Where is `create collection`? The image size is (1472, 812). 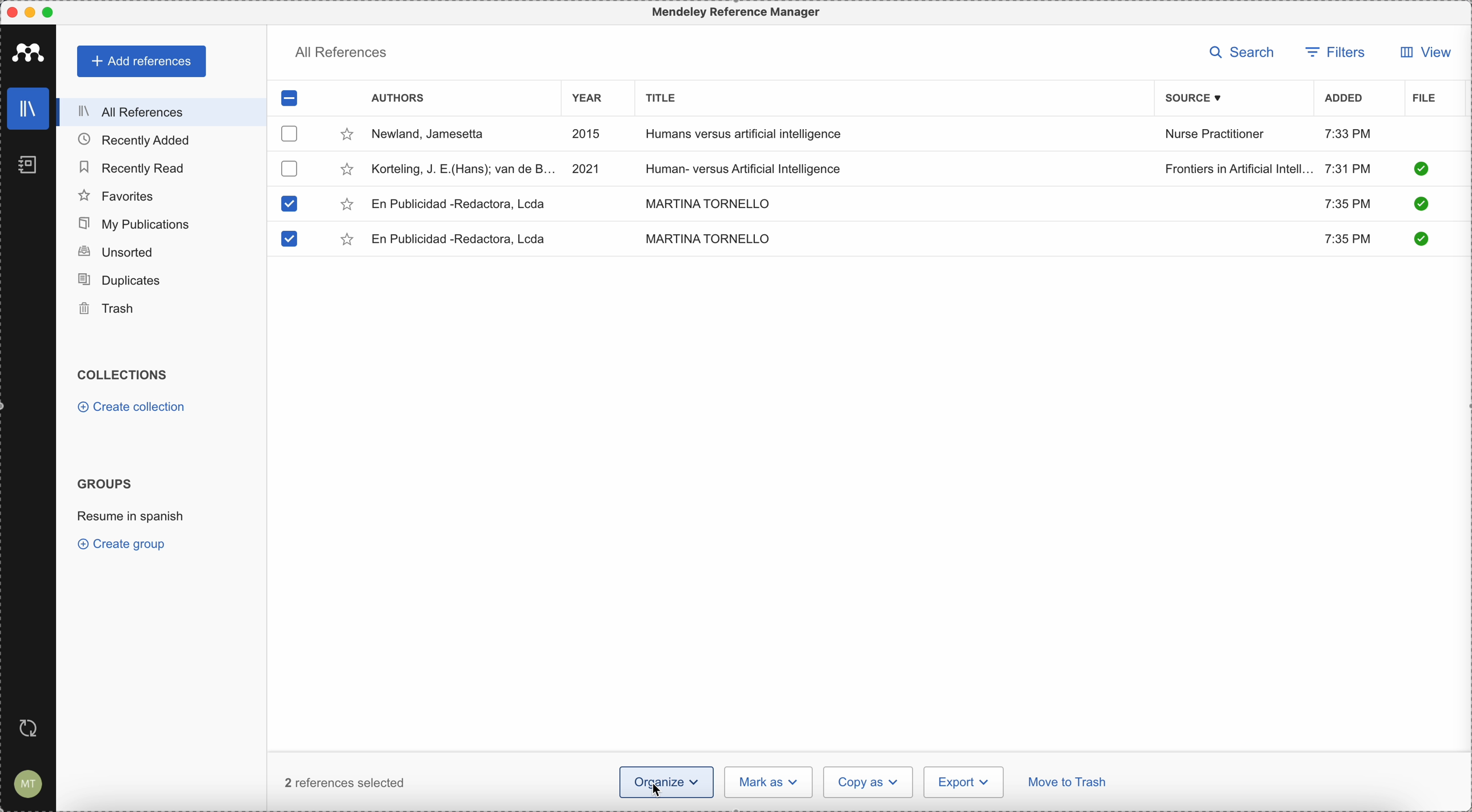
create collection is located at coordinates (134, 409).